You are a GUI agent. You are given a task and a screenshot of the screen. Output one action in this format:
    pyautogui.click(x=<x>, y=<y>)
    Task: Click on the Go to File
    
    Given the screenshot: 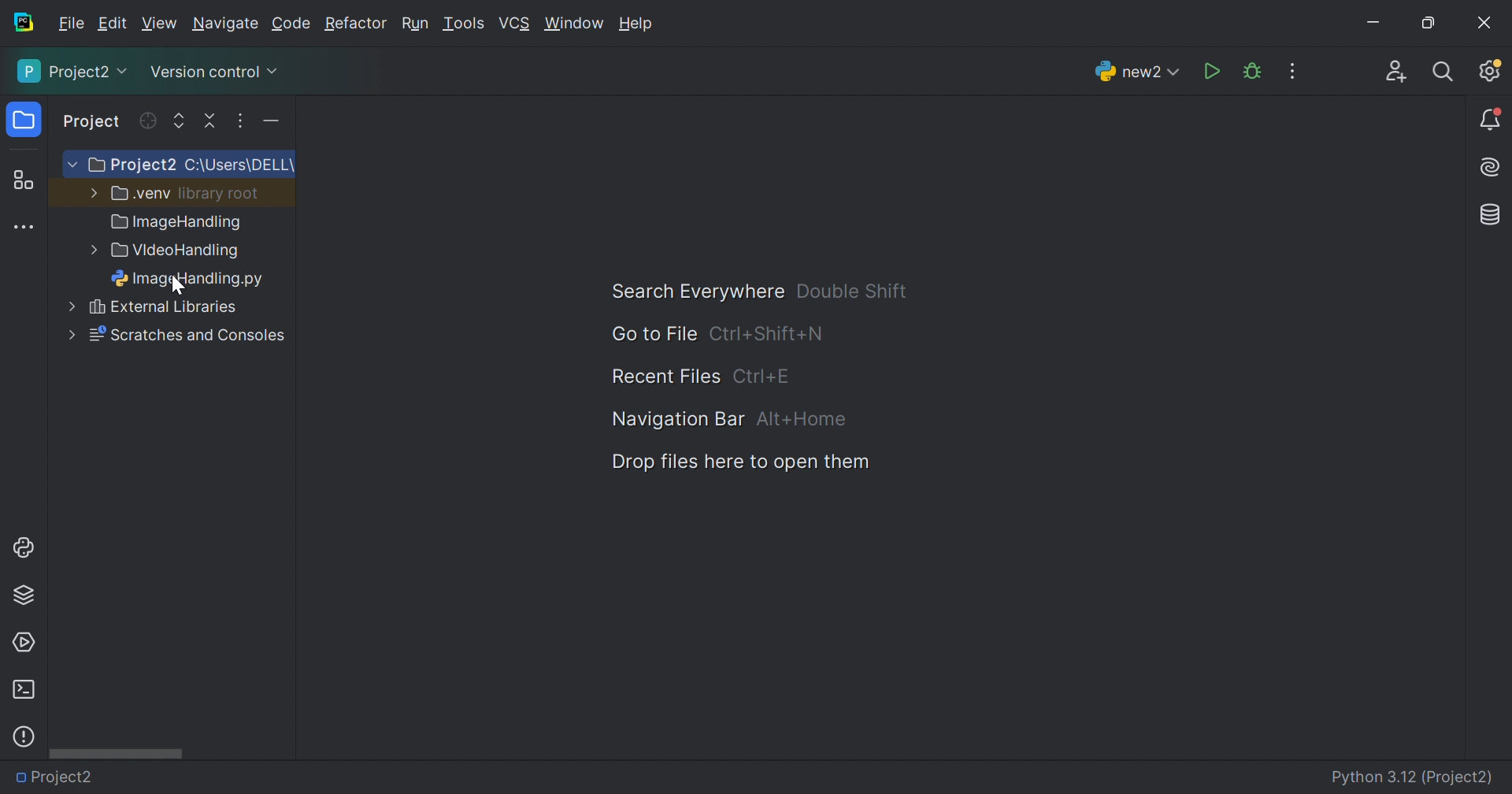 What is the action you would take?
    pyautogui.click(x=653, y=334)
    